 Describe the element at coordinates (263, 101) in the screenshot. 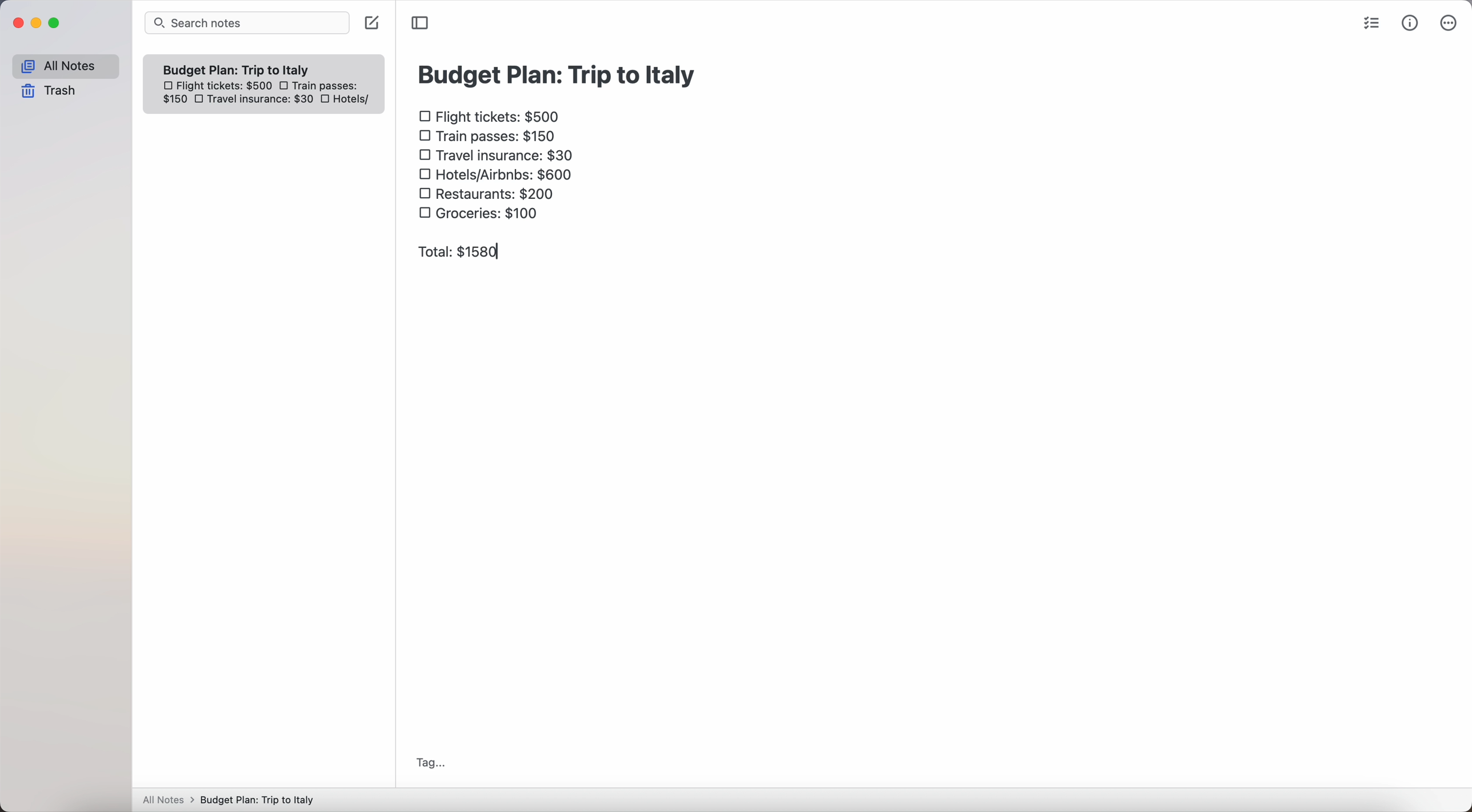

I see `travel insurance: $30` at that location.